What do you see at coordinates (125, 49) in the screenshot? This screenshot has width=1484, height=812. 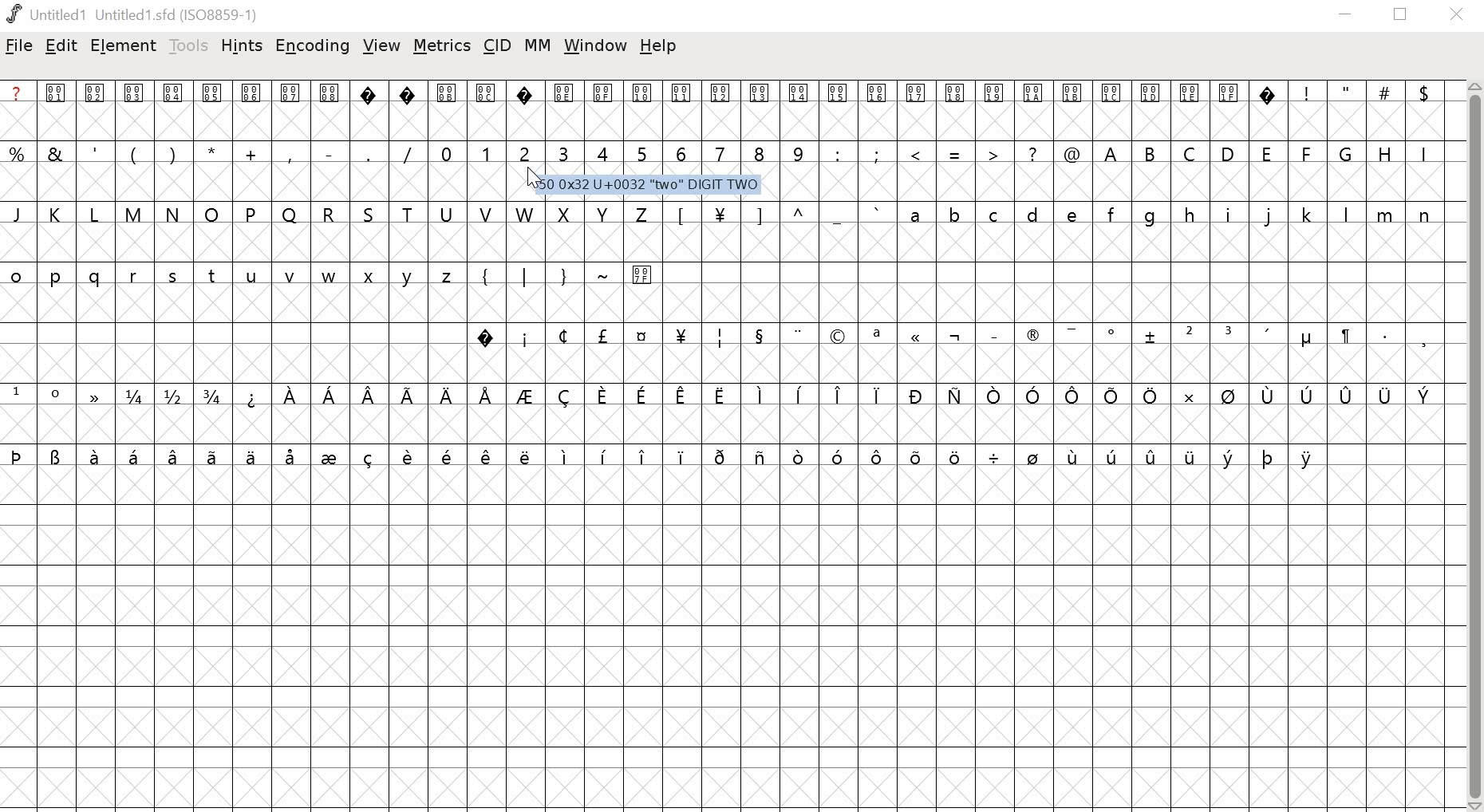 I see `element` at bounding box center [125, 49].